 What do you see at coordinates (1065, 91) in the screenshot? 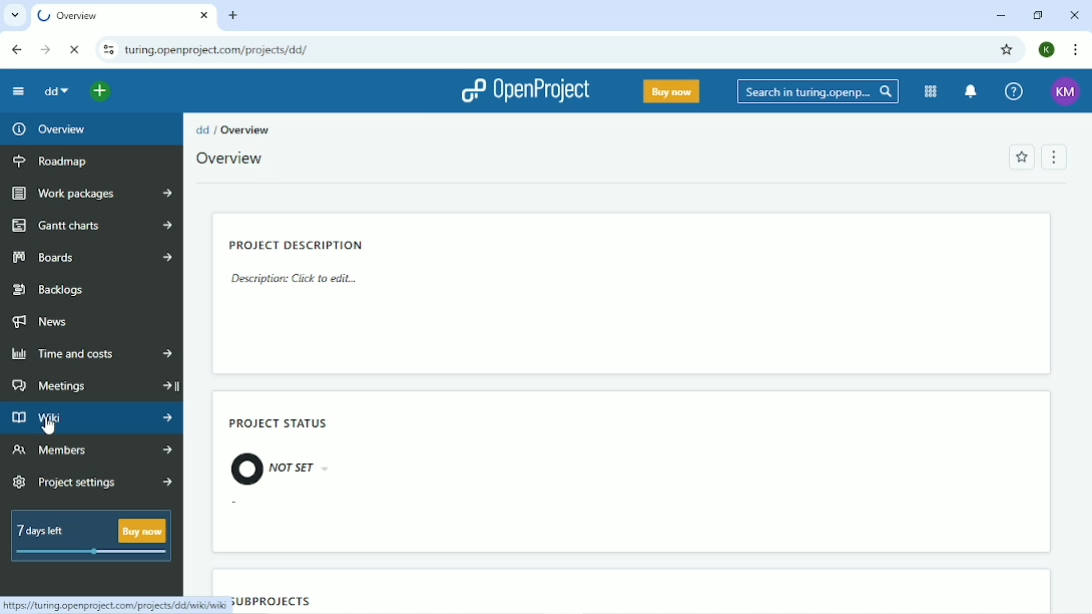
I see `Account` at bounding box center [1065, 91].